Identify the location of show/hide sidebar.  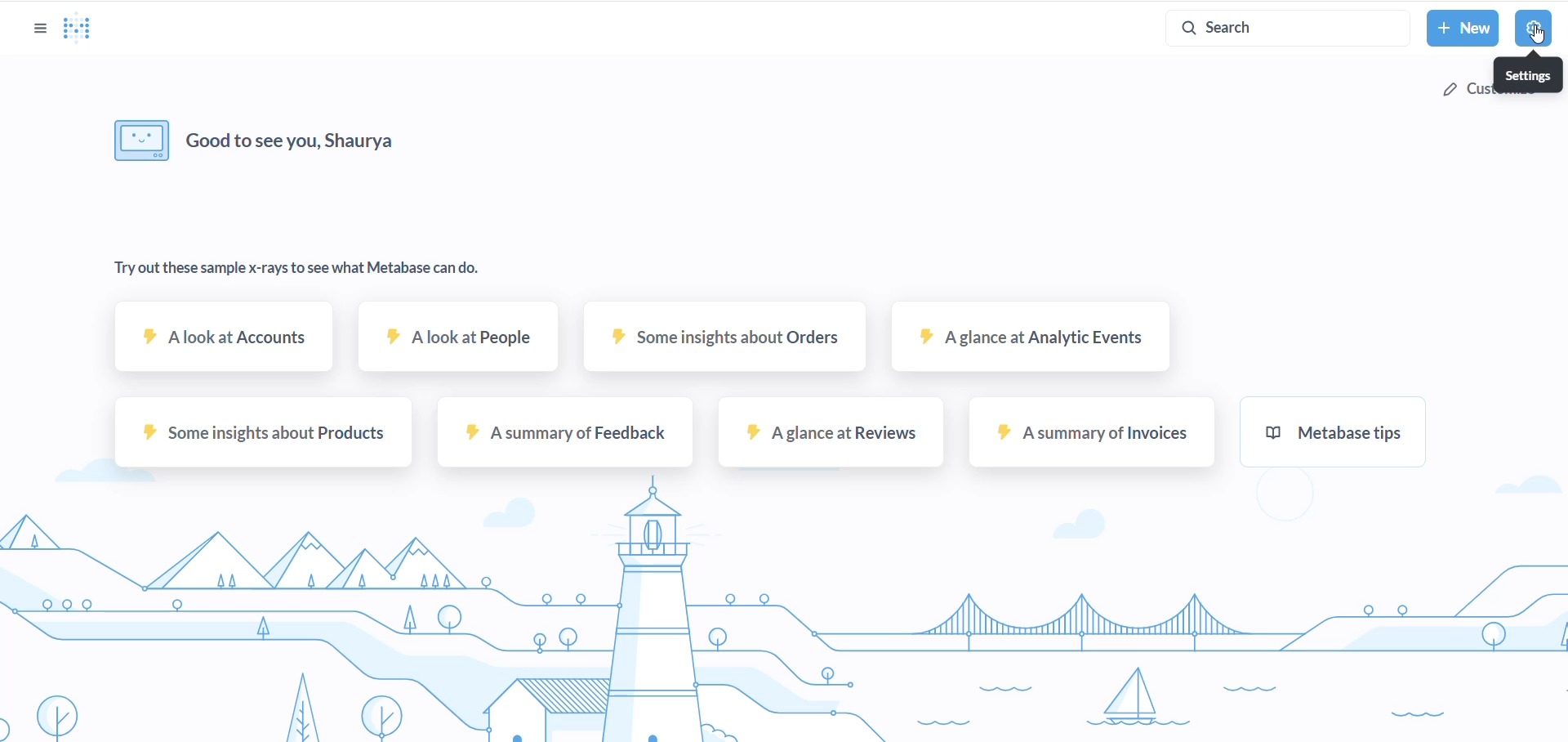
(36, 28).